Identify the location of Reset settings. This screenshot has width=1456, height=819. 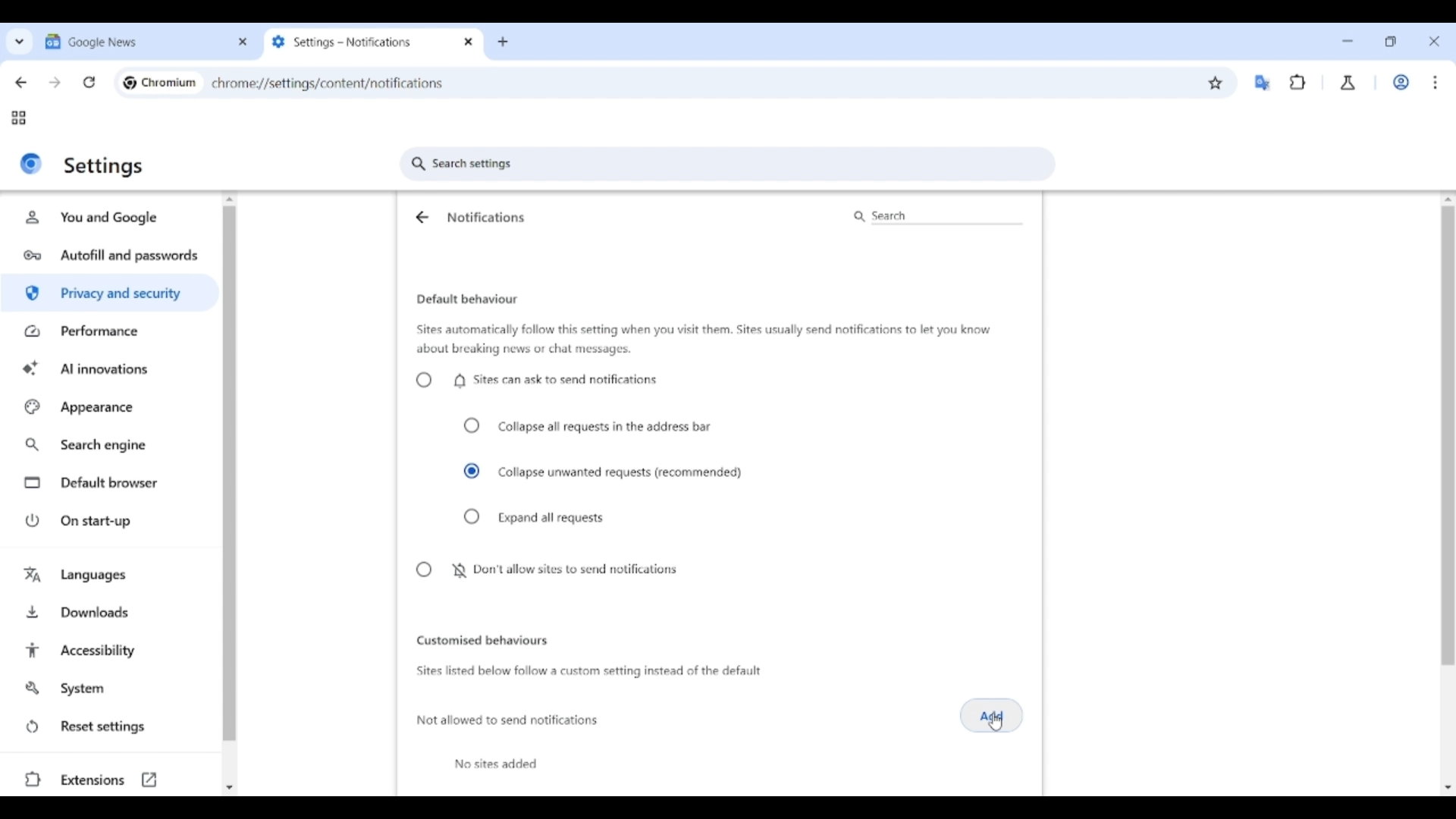
(110, 727).